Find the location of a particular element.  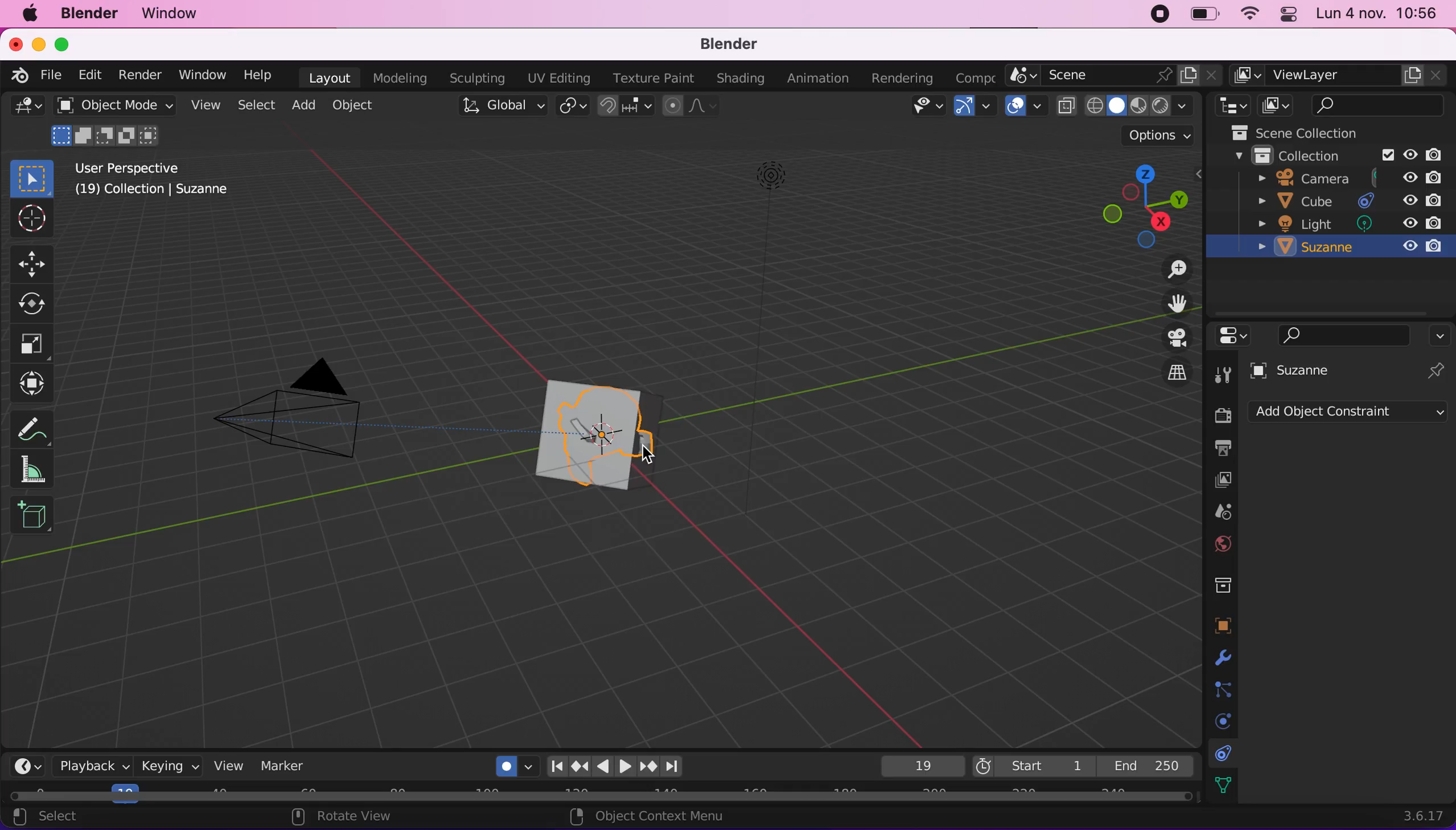

options is located at coordinates (1147, 135).